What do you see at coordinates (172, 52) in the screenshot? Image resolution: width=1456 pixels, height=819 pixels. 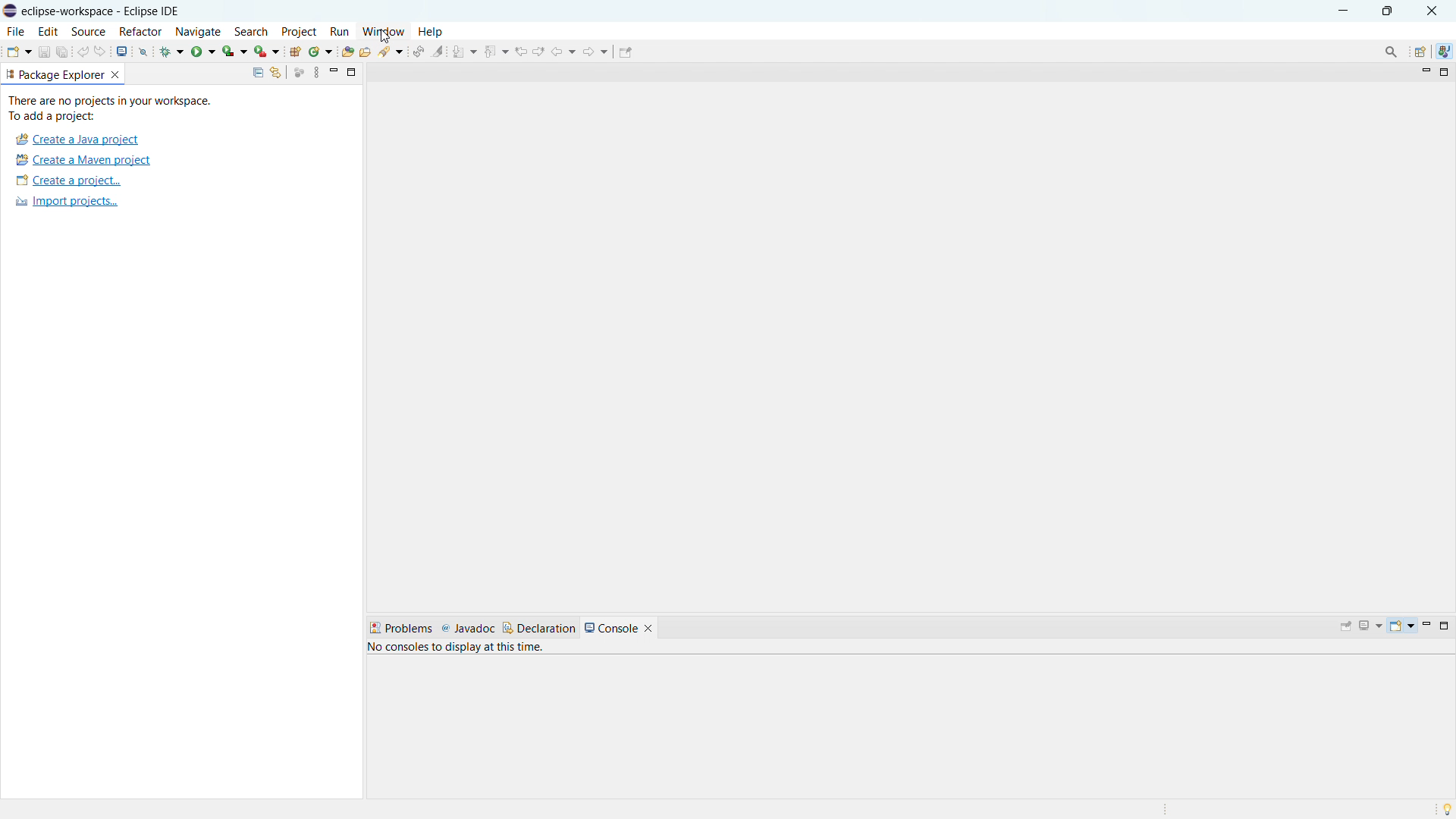 I see `debug` at bounding box center [172, 52].